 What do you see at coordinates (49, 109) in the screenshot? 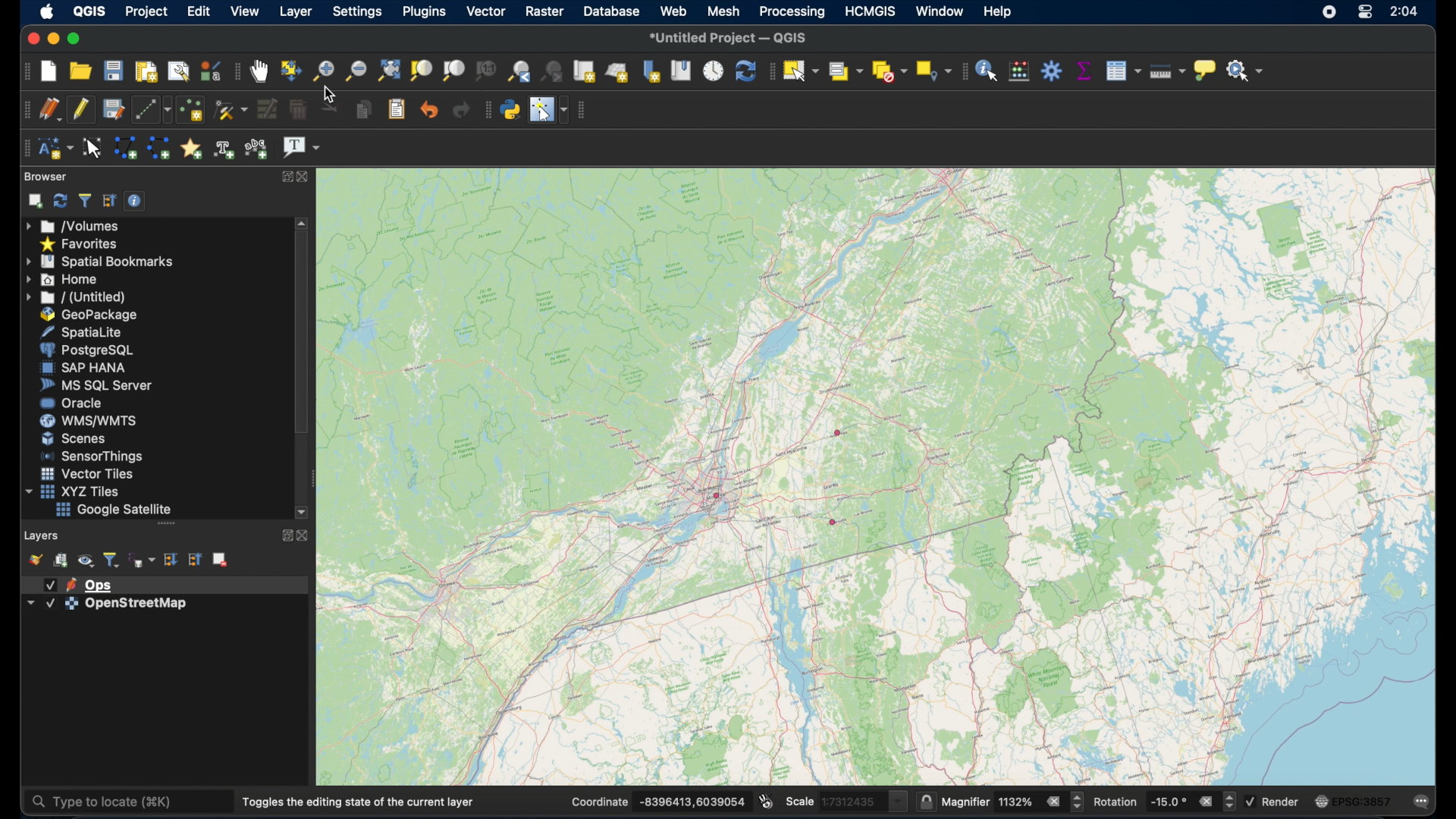
I see `current edits` at bounding box center [49, 109].